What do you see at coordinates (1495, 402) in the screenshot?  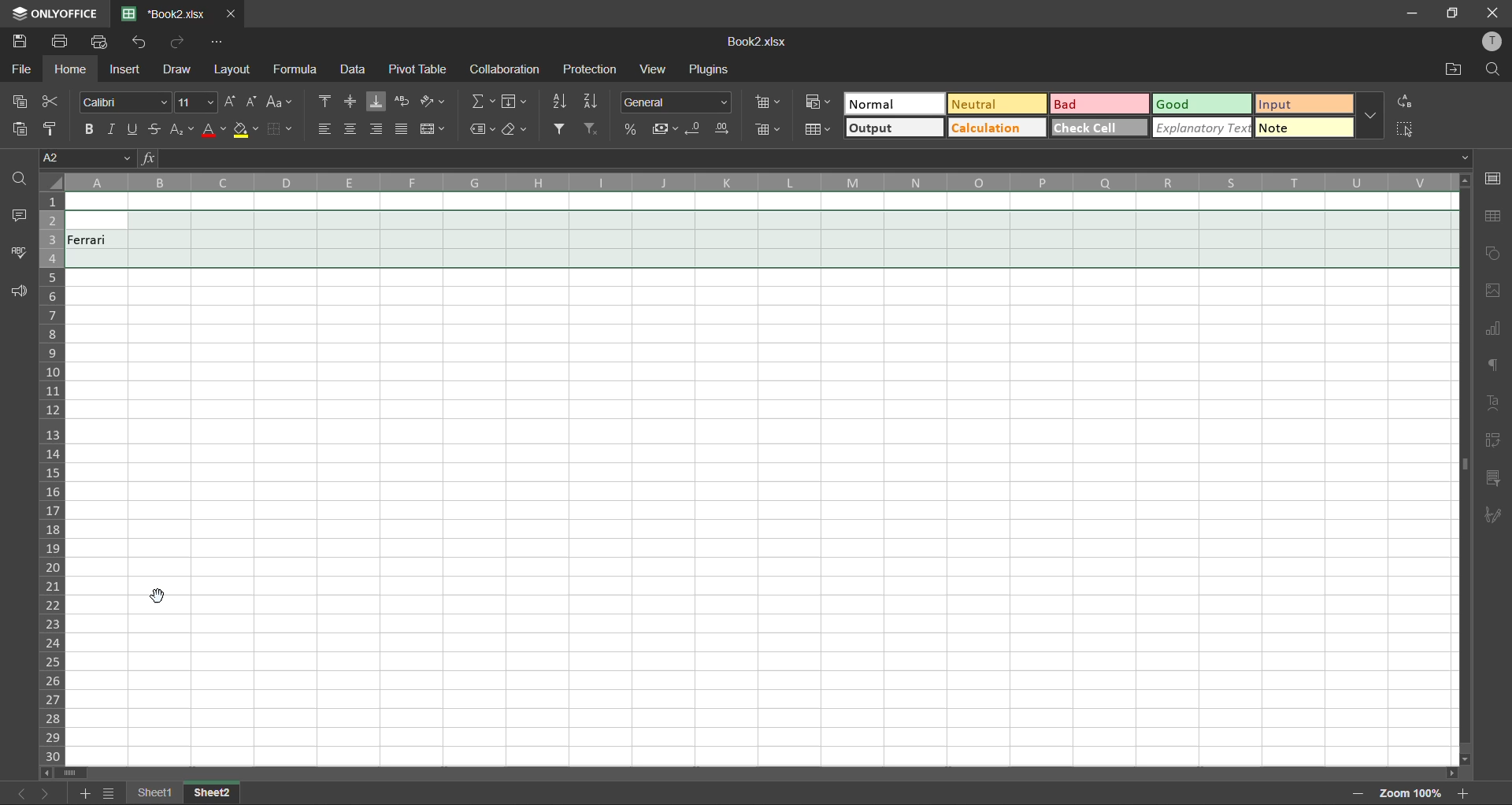 I see `text` at bounding box center [1495, 402].